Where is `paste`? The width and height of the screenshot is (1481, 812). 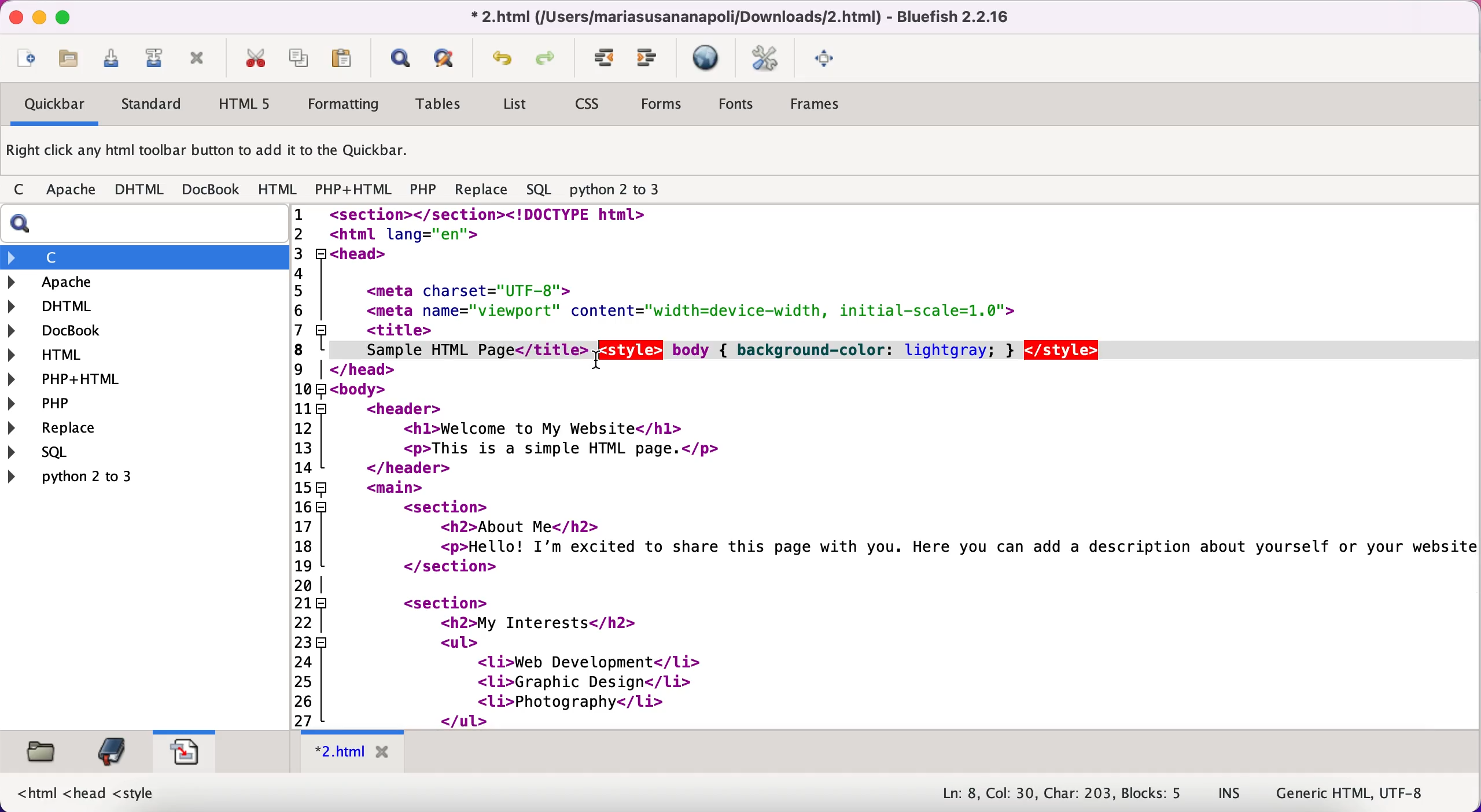
paste is located at coordinates (346, 58).